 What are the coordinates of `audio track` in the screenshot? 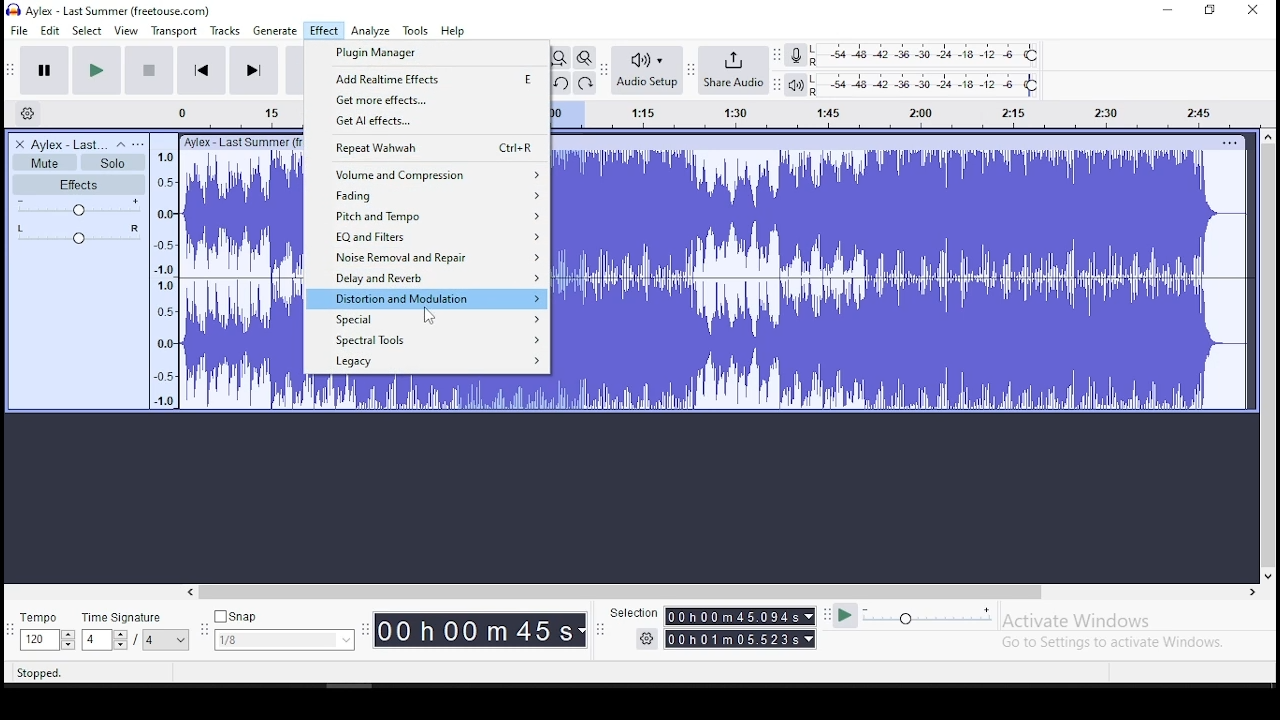 It's located at (426, 391).